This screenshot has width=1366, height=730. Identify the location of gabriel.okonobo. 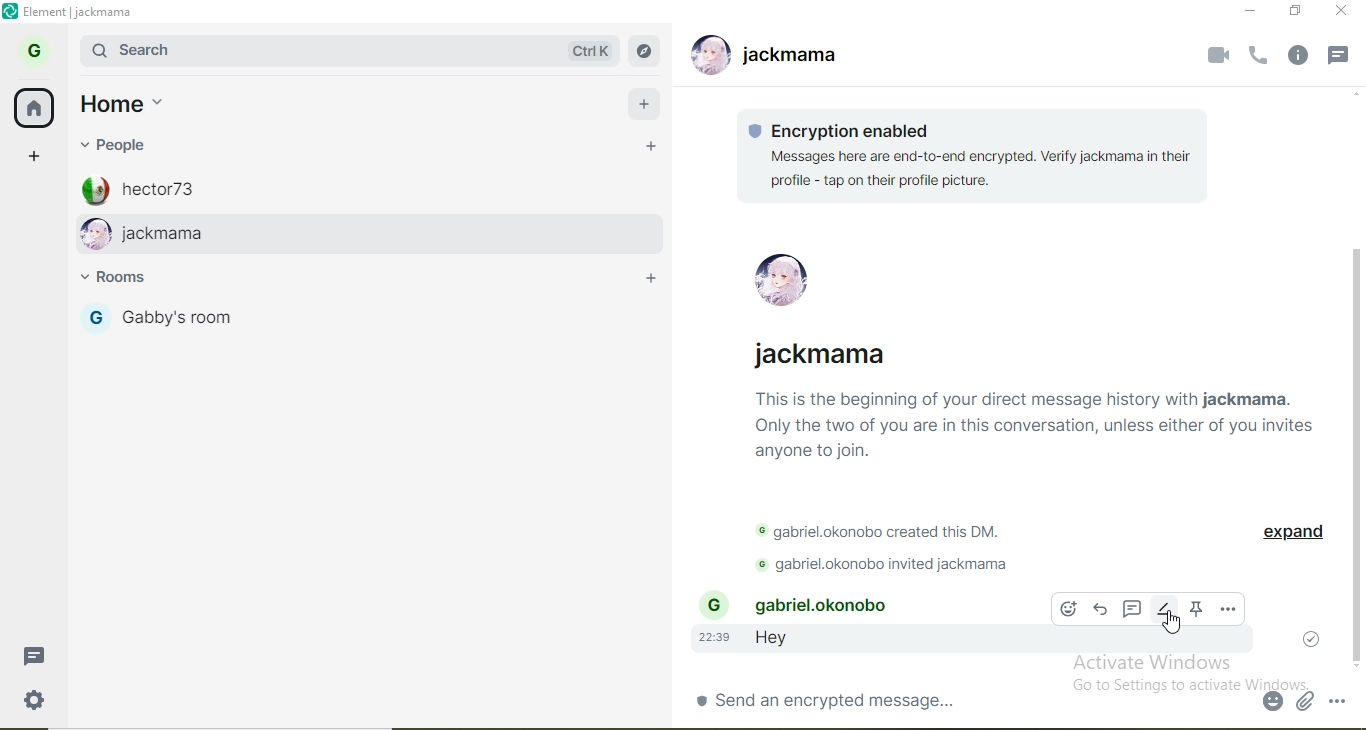
(829, 605).